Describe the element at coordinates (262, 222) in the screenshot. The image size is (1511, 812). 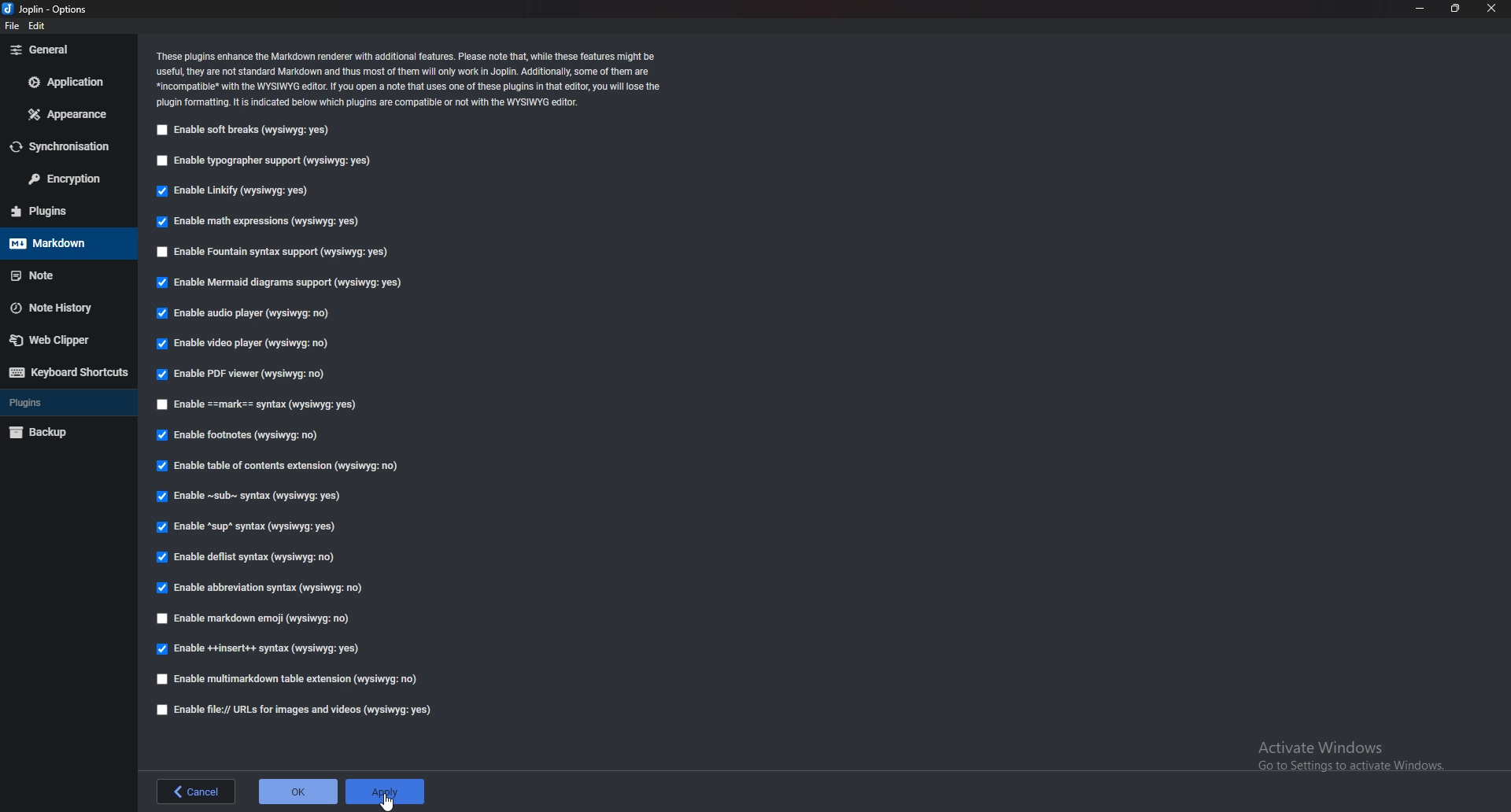
I see `enable math expressions` at that location.